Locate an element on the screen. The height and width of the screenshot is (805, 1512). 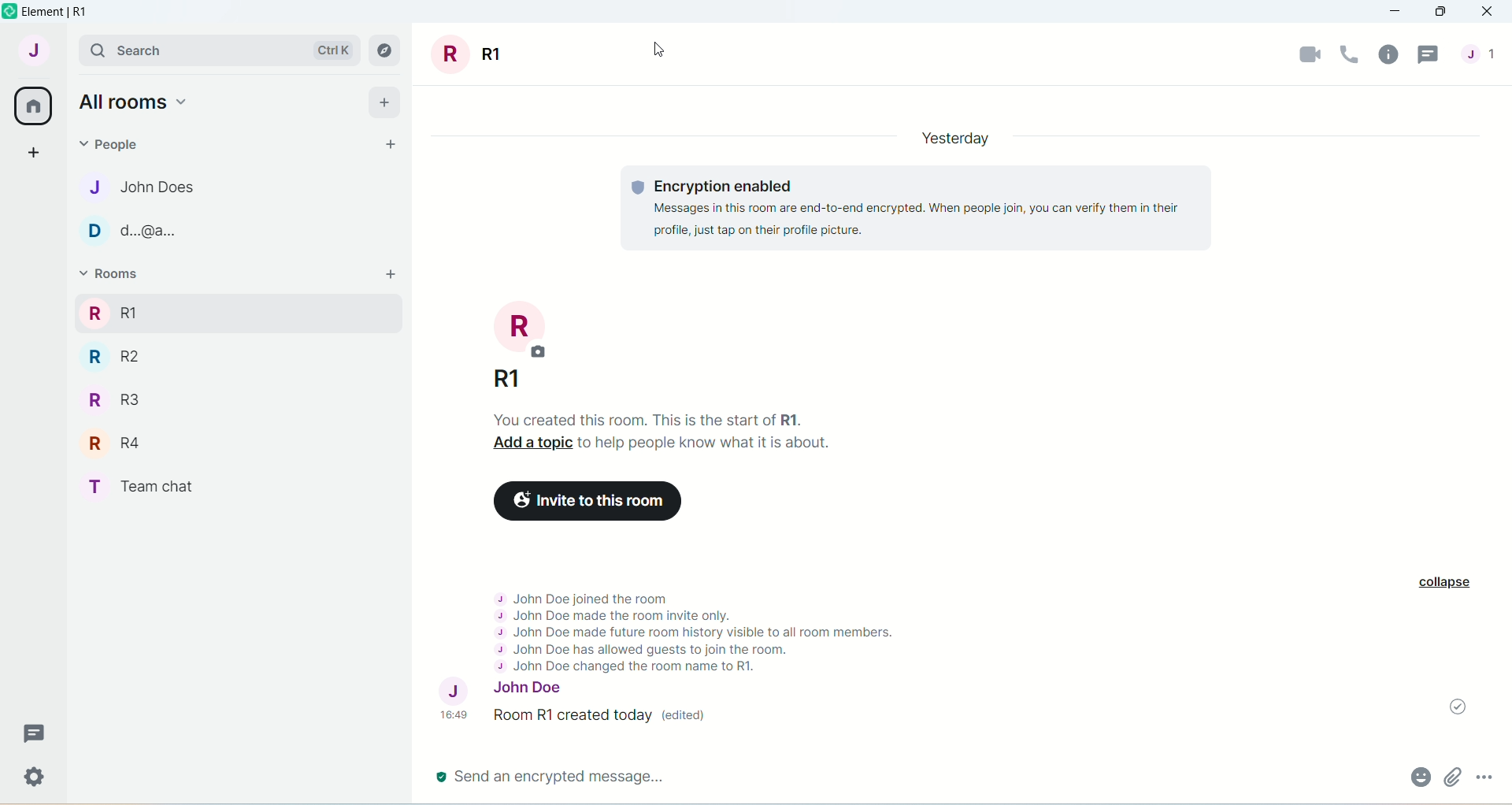
voice call is located at coordinates (1349, 56).